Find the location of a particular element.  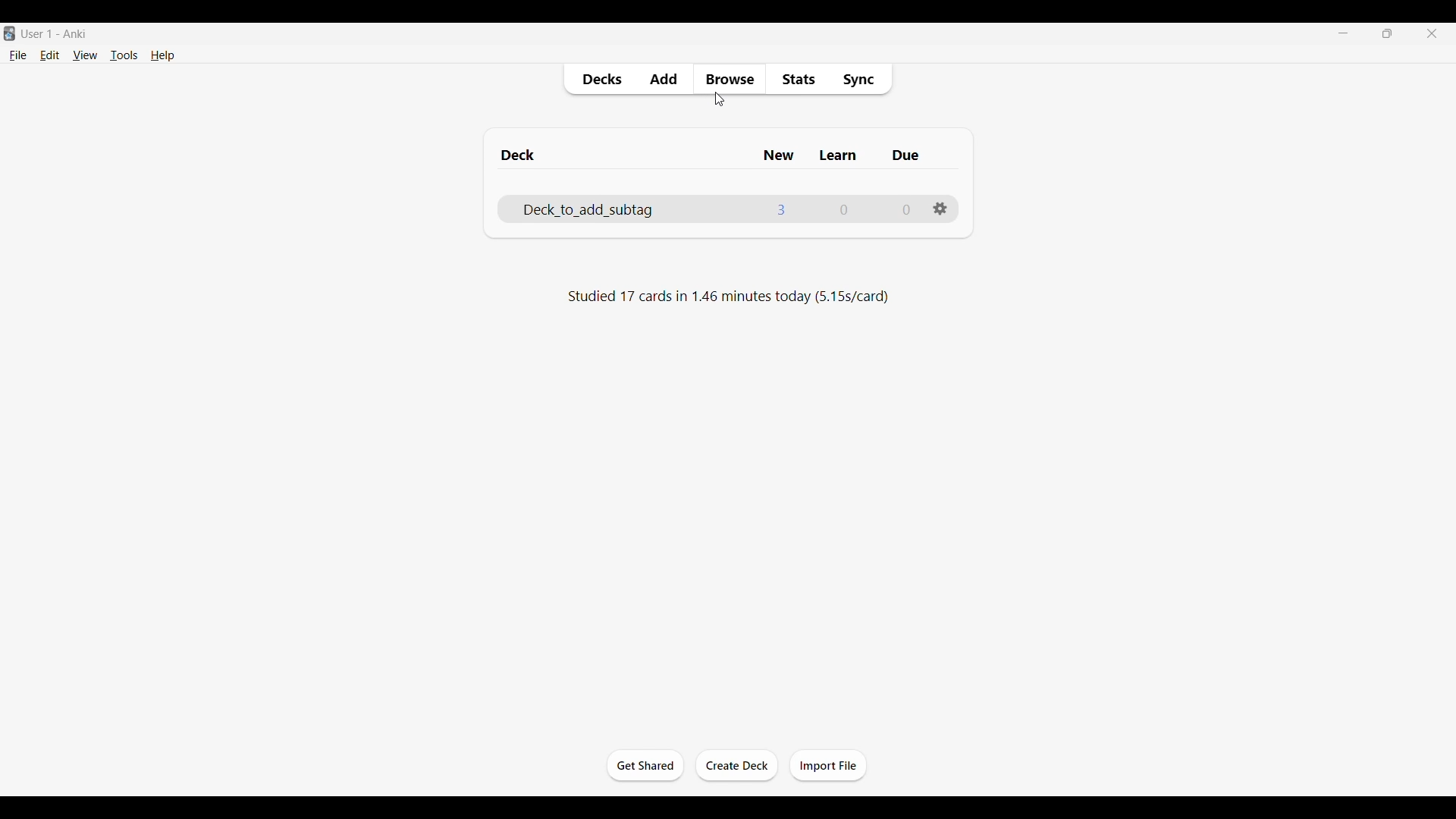

Edit menu is located at coordinates (50, 55).